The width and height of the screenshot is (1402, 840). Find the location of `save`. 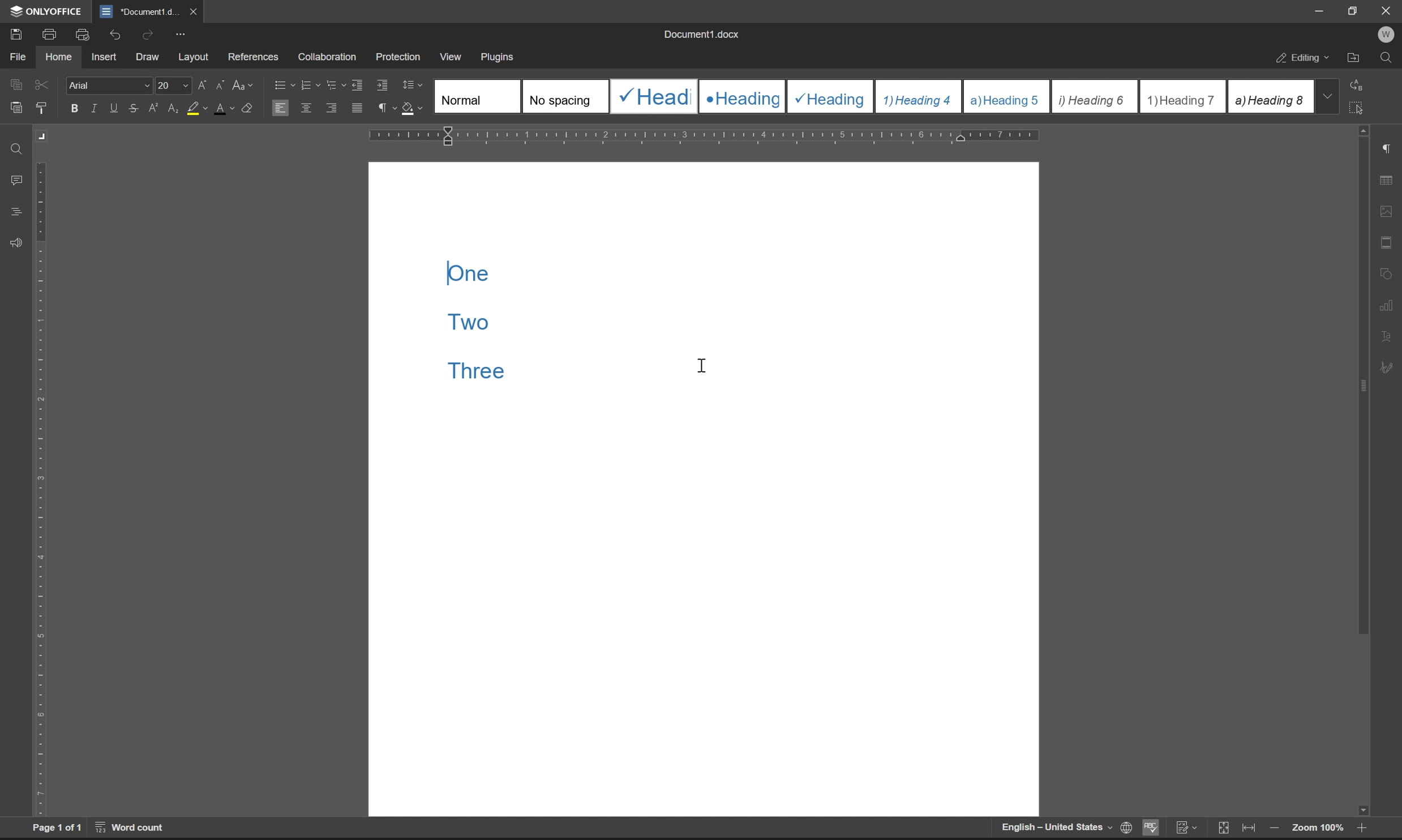

save is located at coordinates (12, 33).